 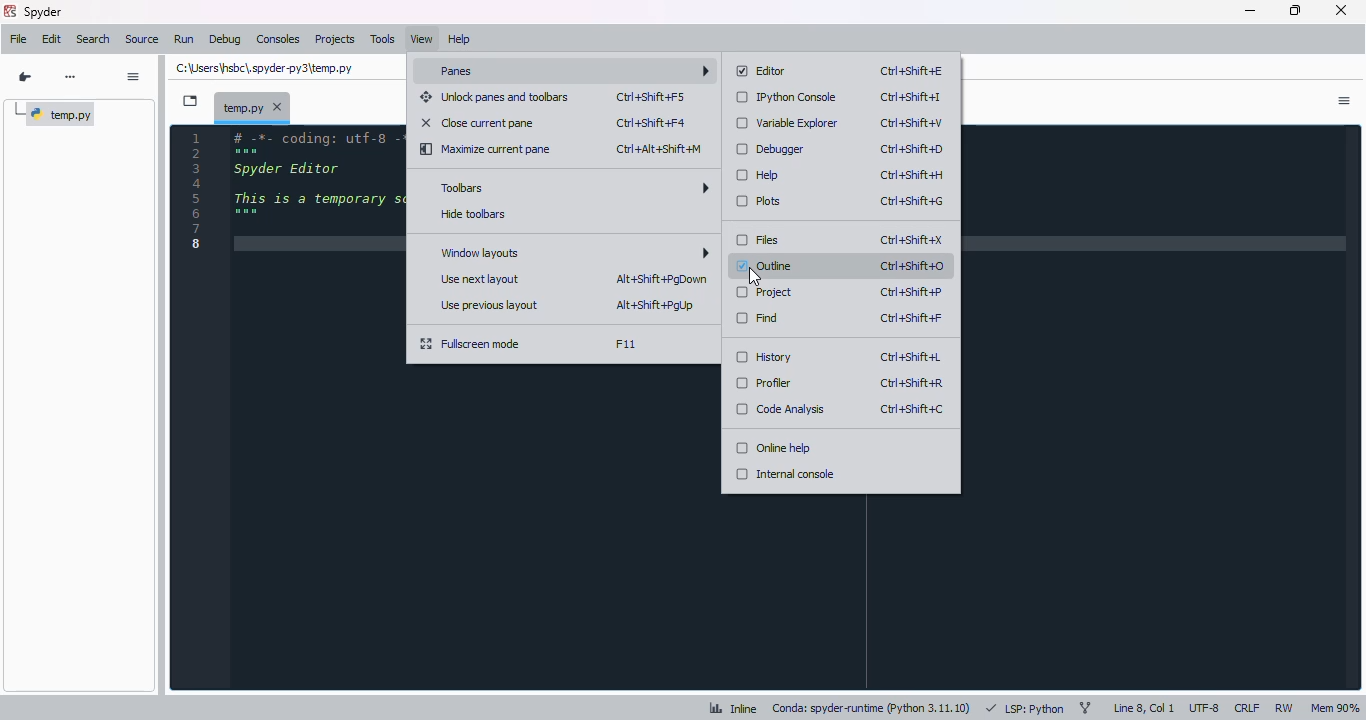 I want to click on run, so click(x=184, y=39).